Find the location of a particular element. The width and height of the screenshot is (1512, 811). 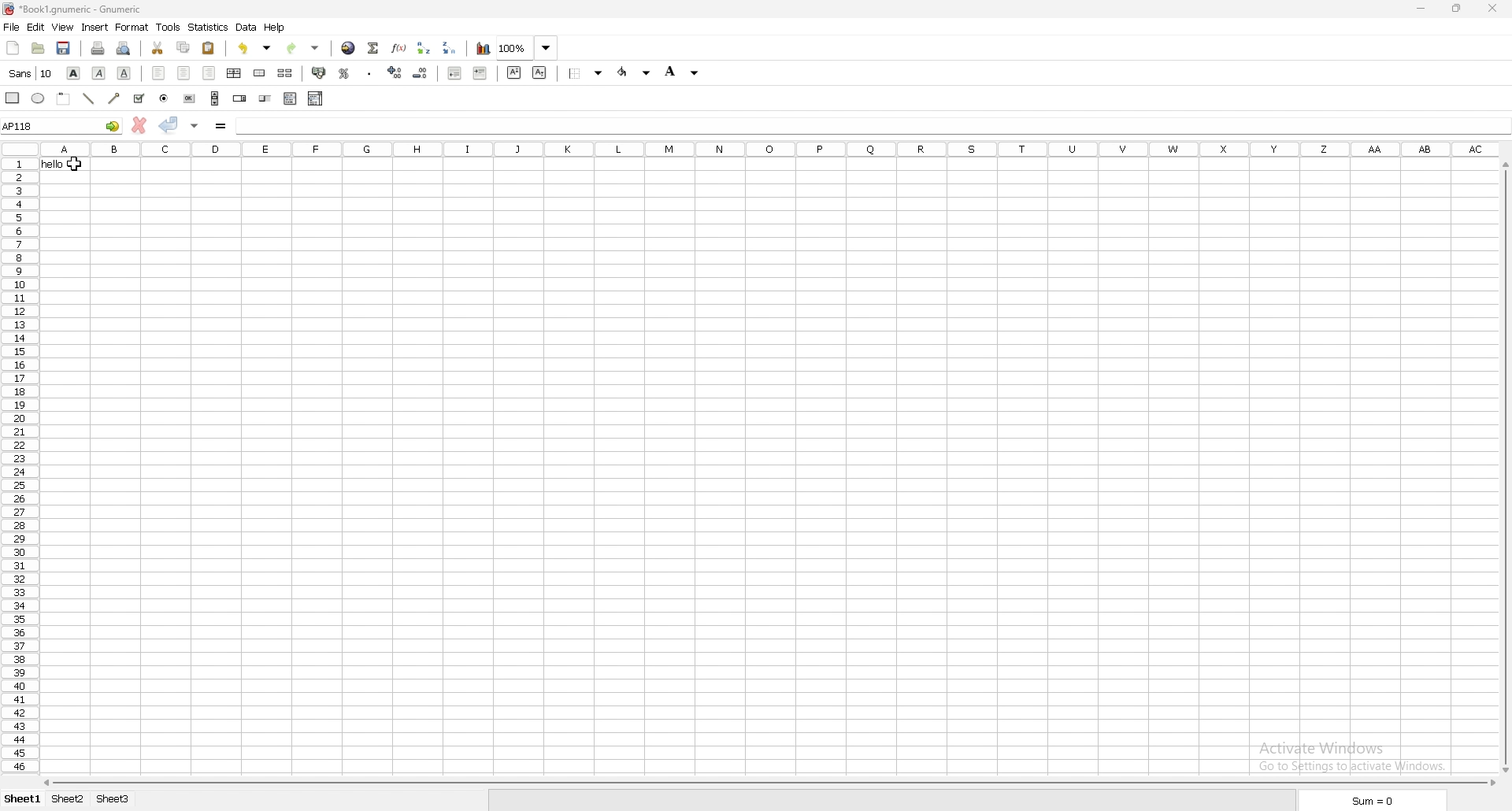

scroll bar is located at coordinates (1506, 468).